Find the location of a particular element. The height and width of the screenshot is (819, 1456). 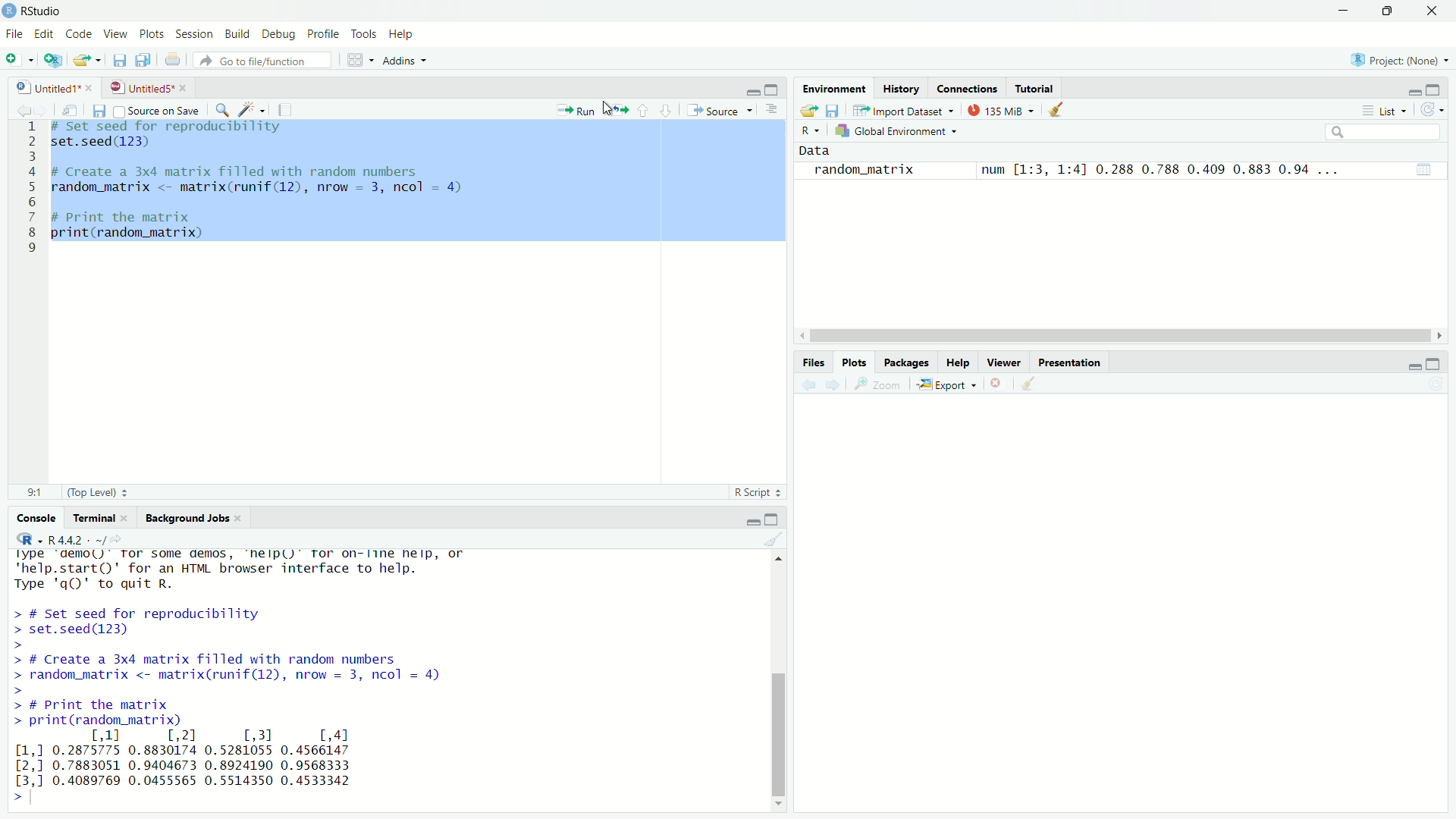

save is located at coordinates (98, 111).